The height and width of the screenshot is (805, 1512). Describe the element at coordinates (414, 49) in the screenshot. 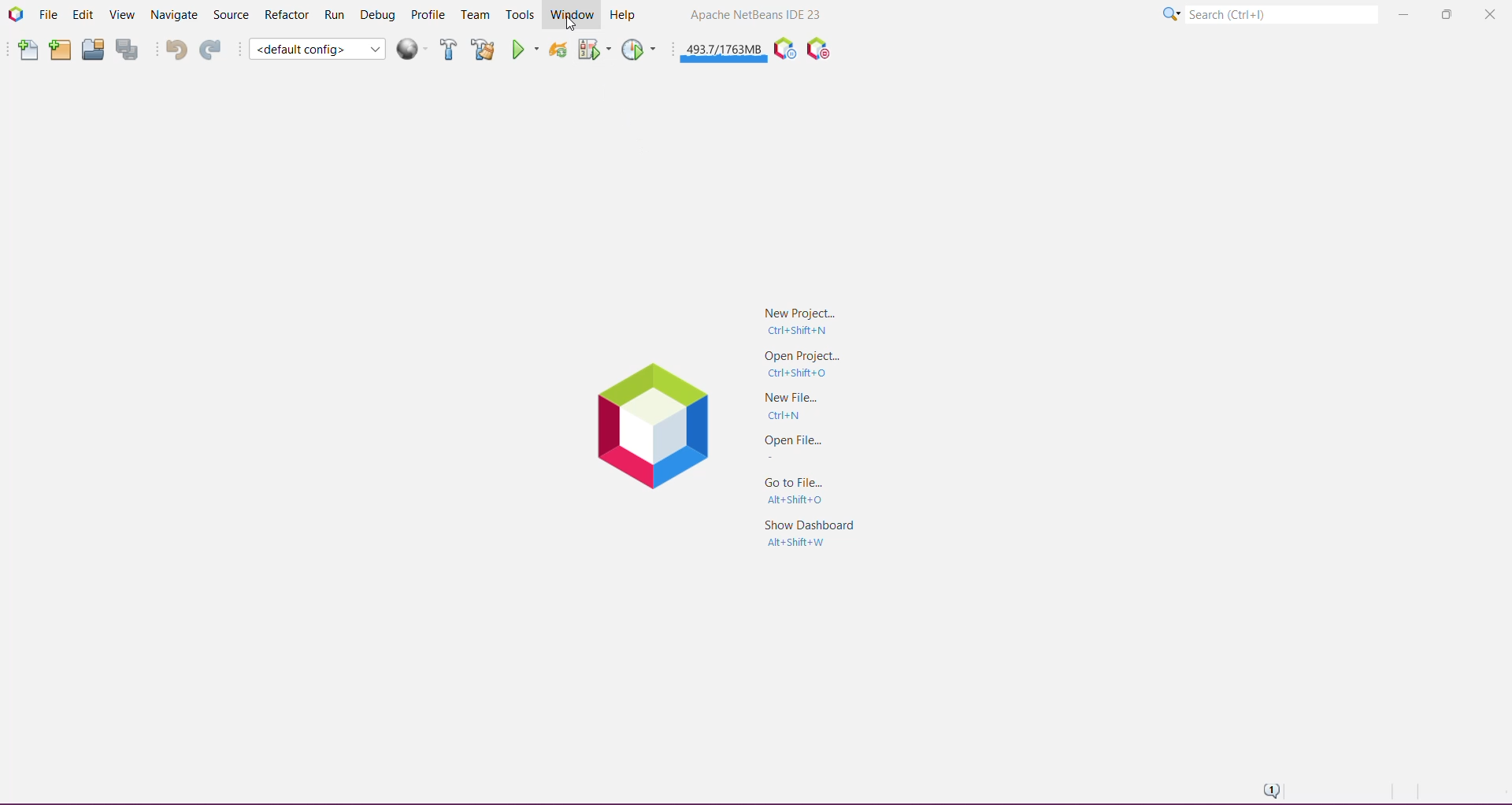

I see `` at that location.